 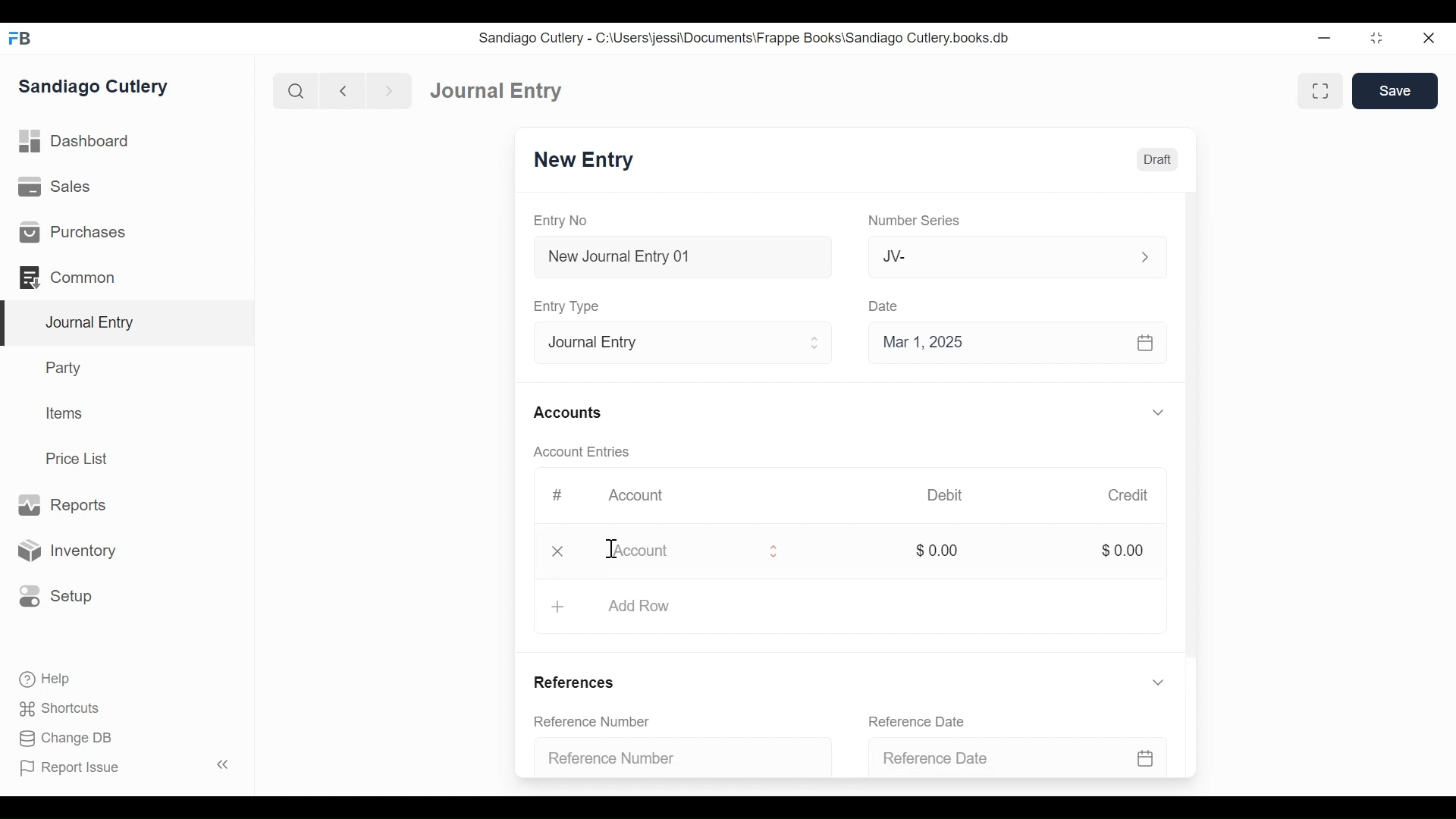 I want to click on Report Issue, so click(x=76, y=769).